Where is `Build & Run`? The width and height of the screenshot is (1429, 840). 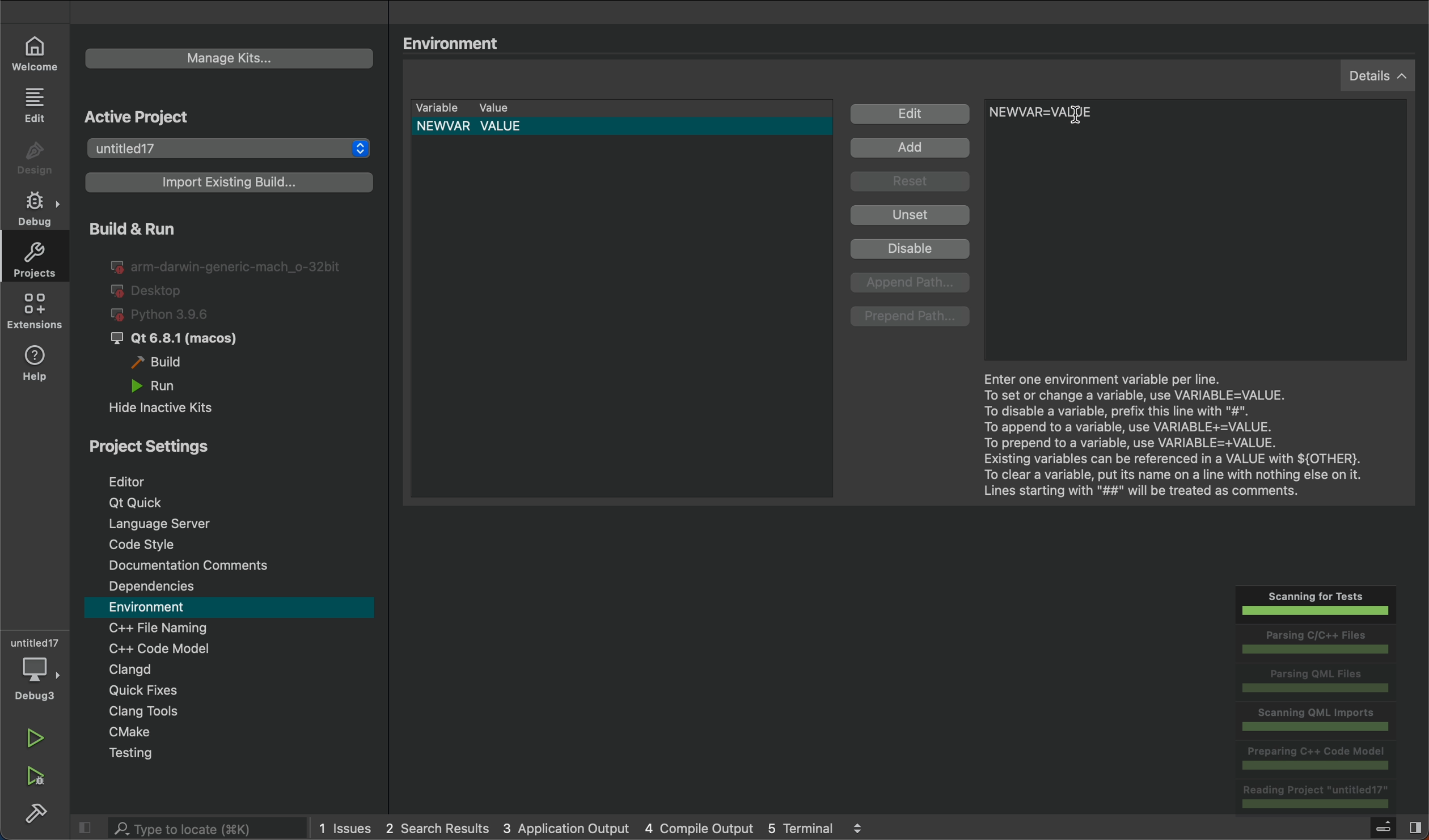 Build & Run is located at coordinates (171, 228).